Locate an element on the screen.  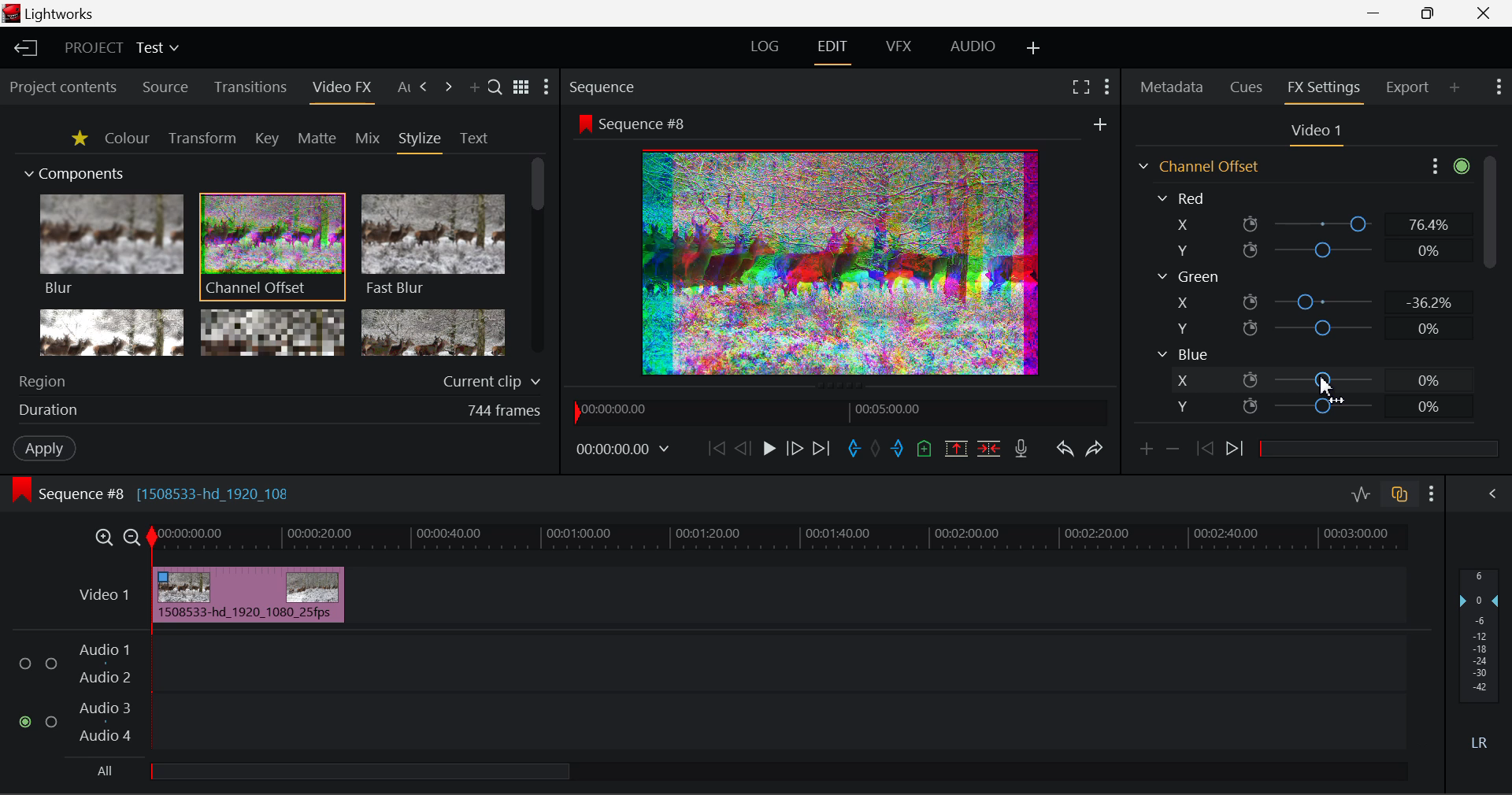
Favorites is located at coordinates (79, 140).